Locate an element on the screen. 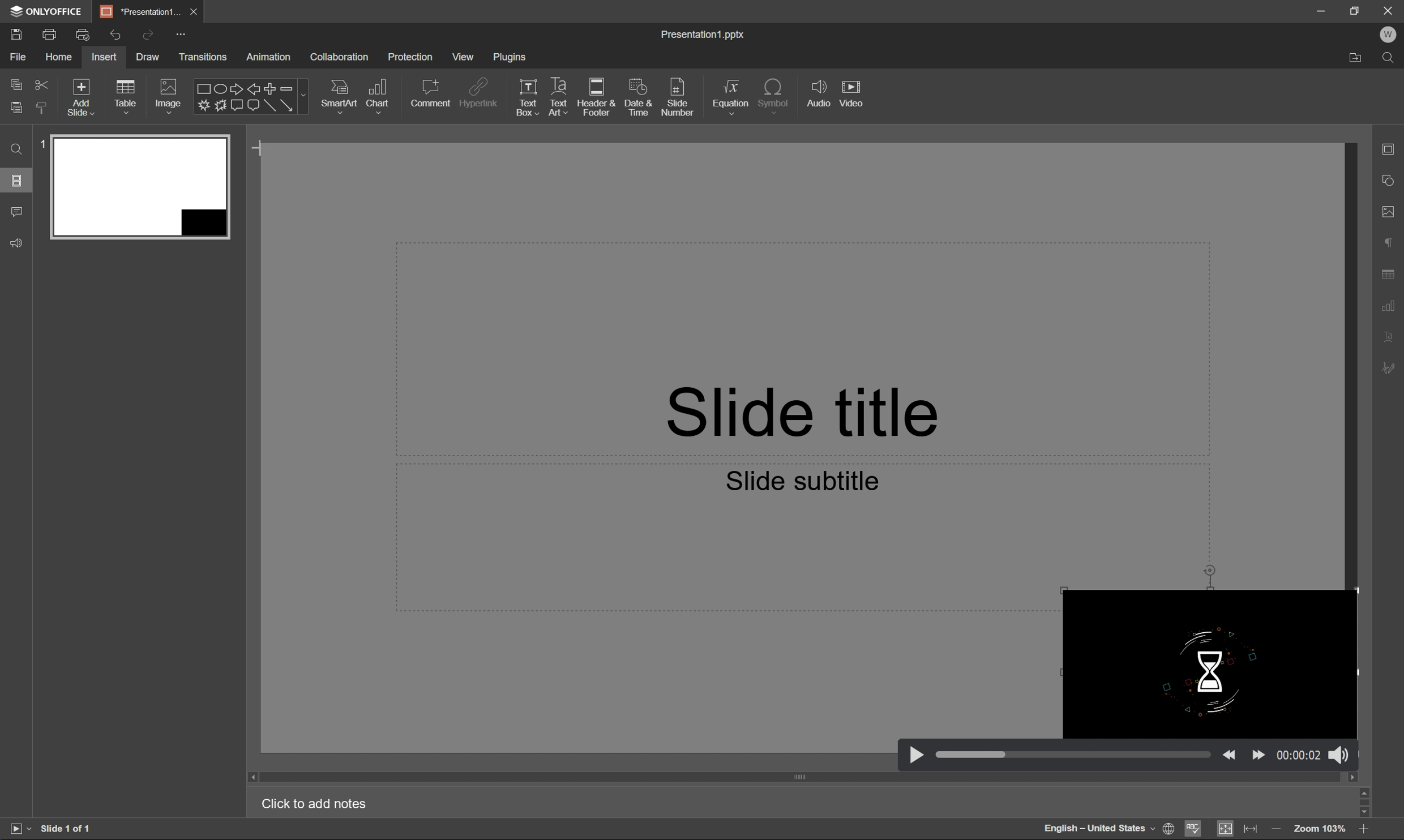 The height and width of the screenshot is (840, 1404). fit to width is located at coordinates (1249, 827).